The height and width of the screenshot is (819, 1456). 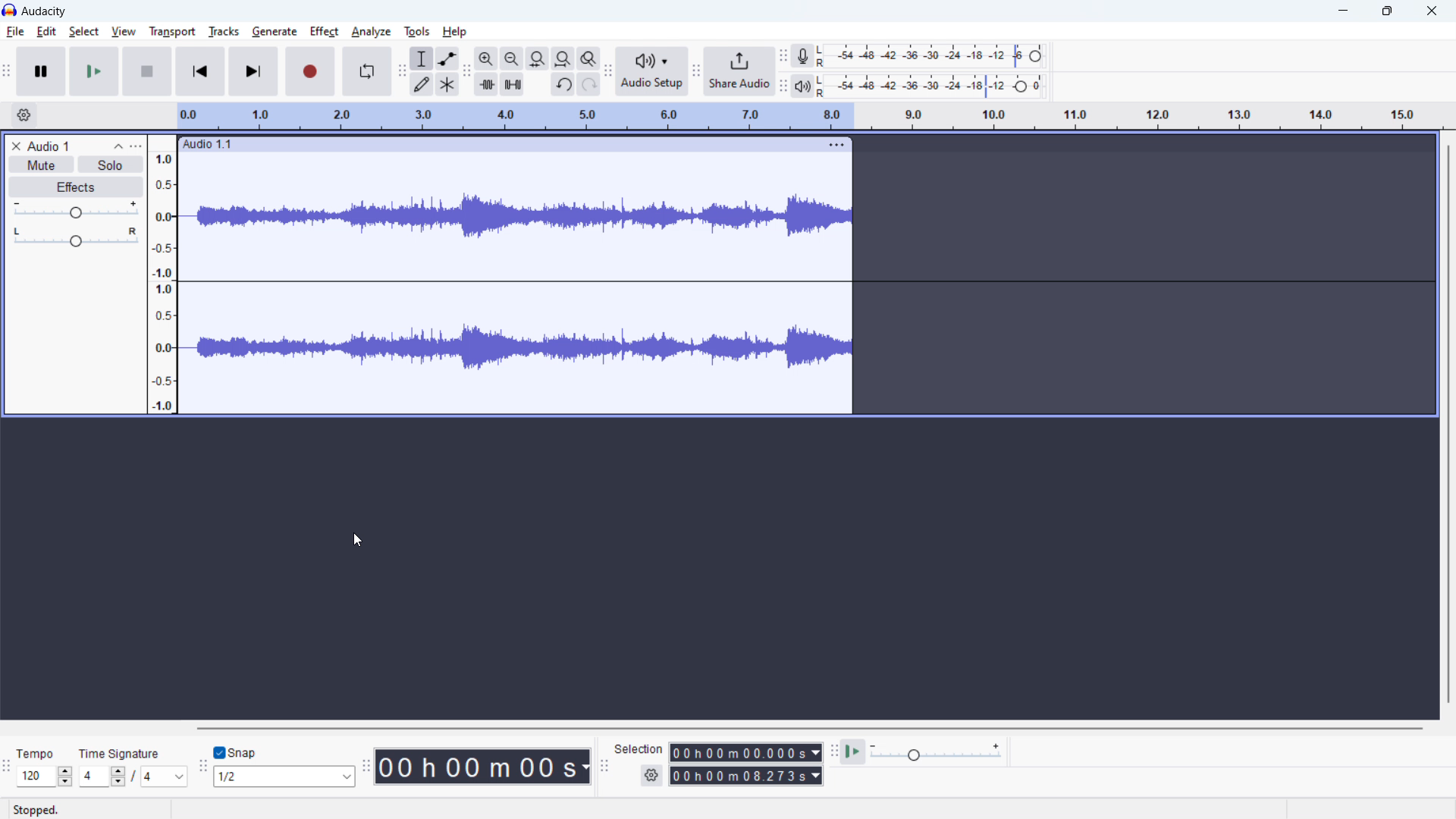 I want to click on timeline settings, so click(x=23, y=115).